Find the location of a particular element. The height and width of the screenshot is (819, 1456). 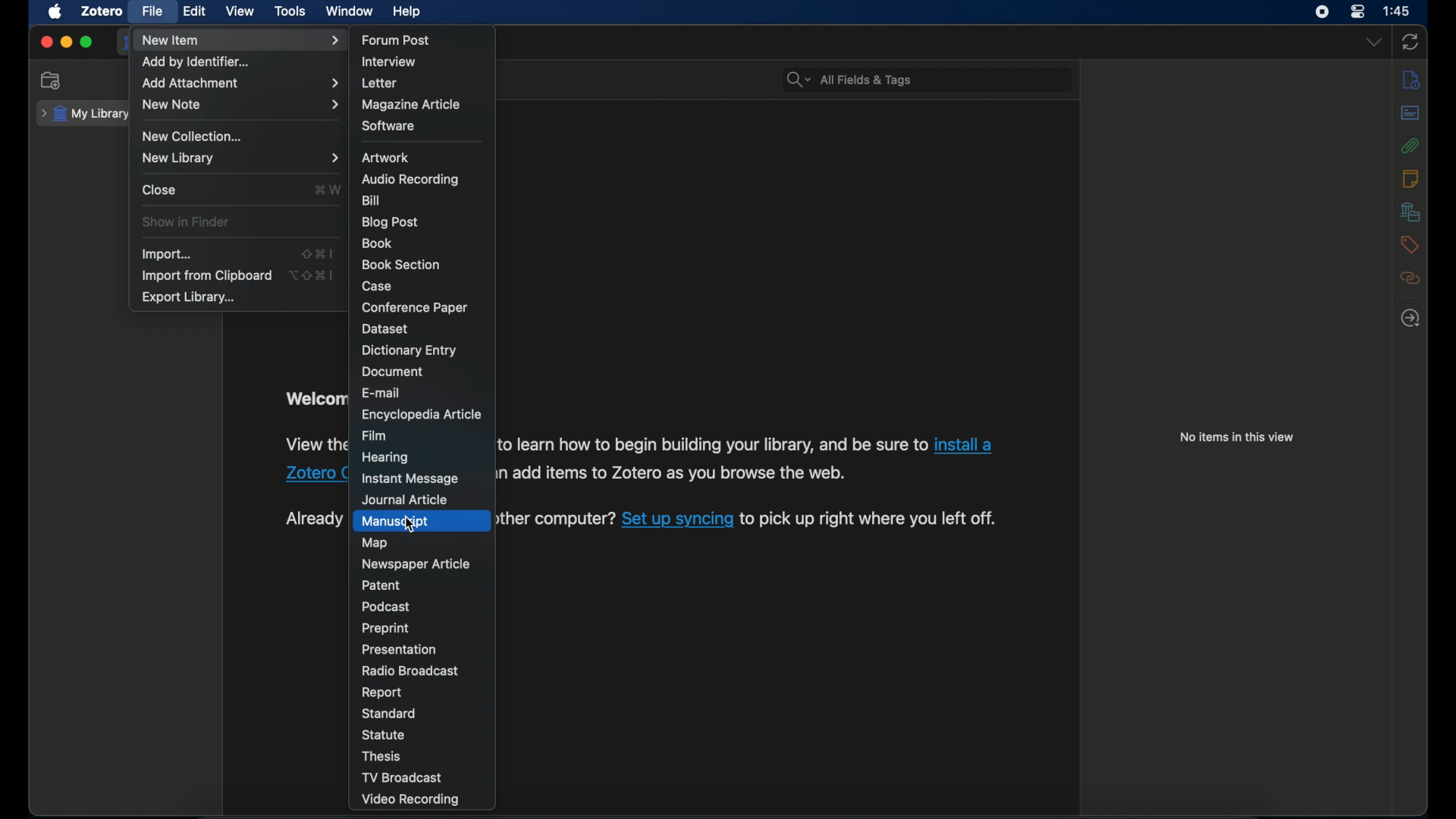

command + W is located at coordinates (326, 190).